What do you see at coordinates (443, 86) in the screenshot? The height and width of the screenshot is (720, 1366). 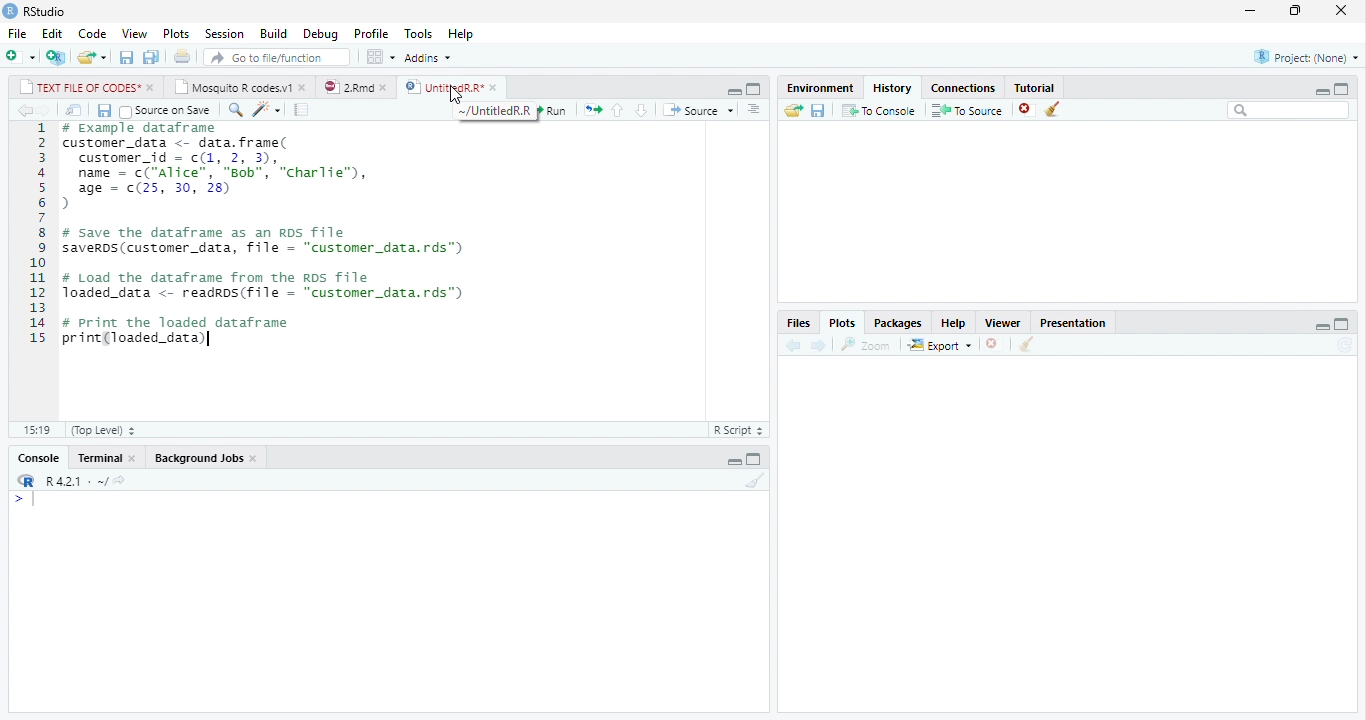 I see `UntitledR.R` at bounding box center [443, 86].